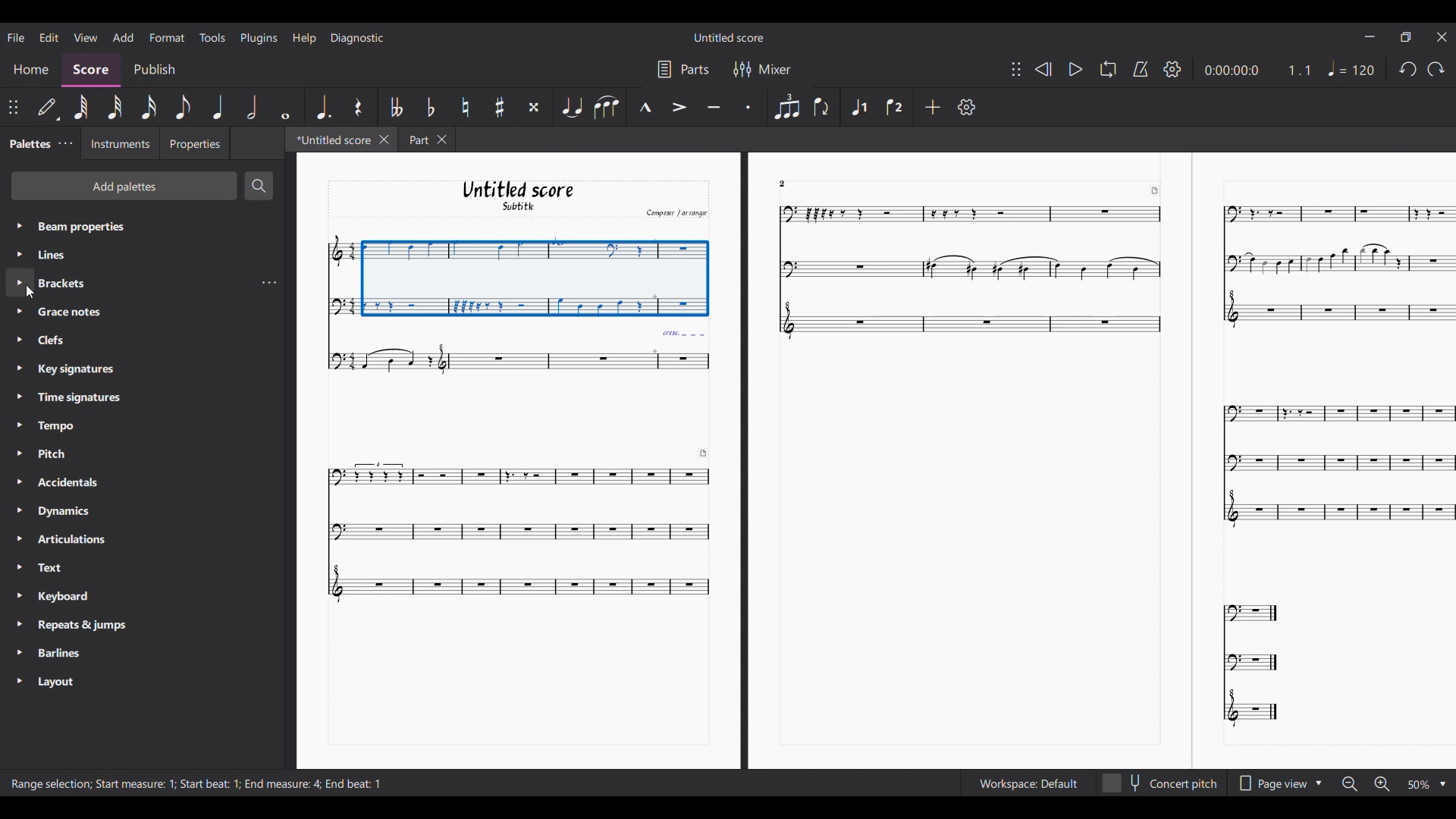  Describe the element at coordinates (607, 107) in the screenshot. I see `Slur` at that location.